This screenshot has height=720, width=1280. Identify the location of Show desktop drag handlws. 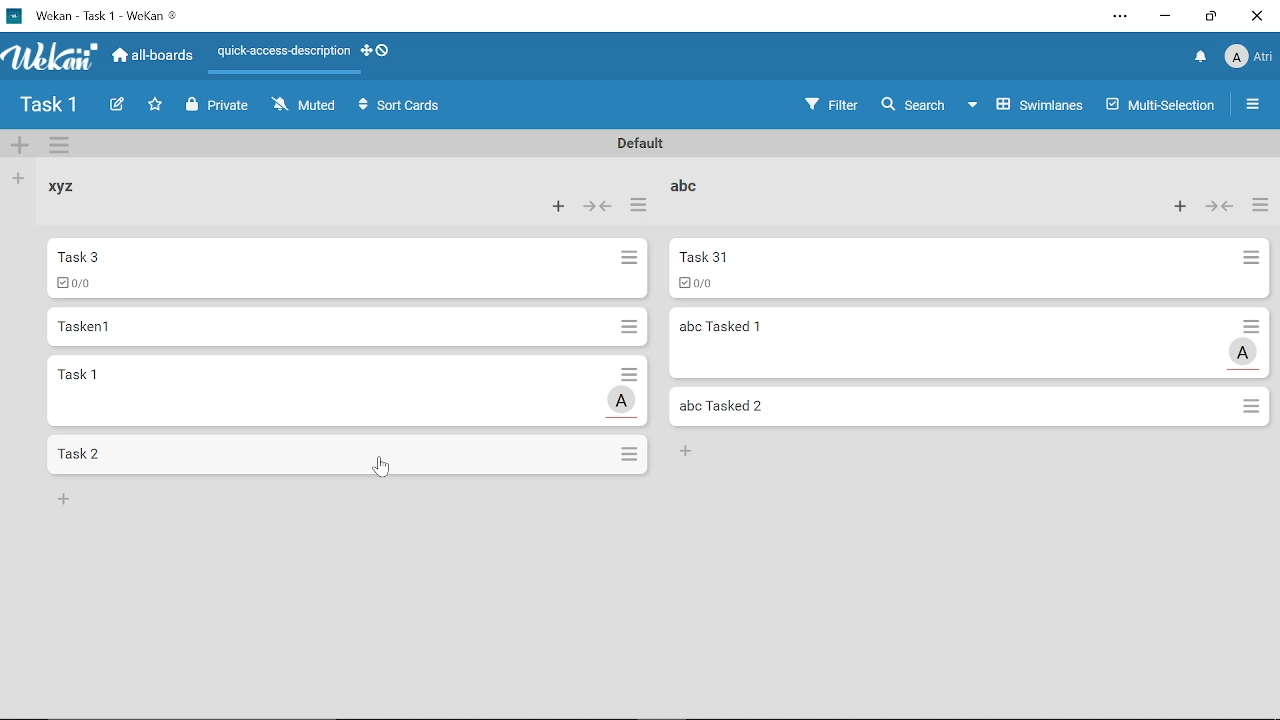
(383, 50).